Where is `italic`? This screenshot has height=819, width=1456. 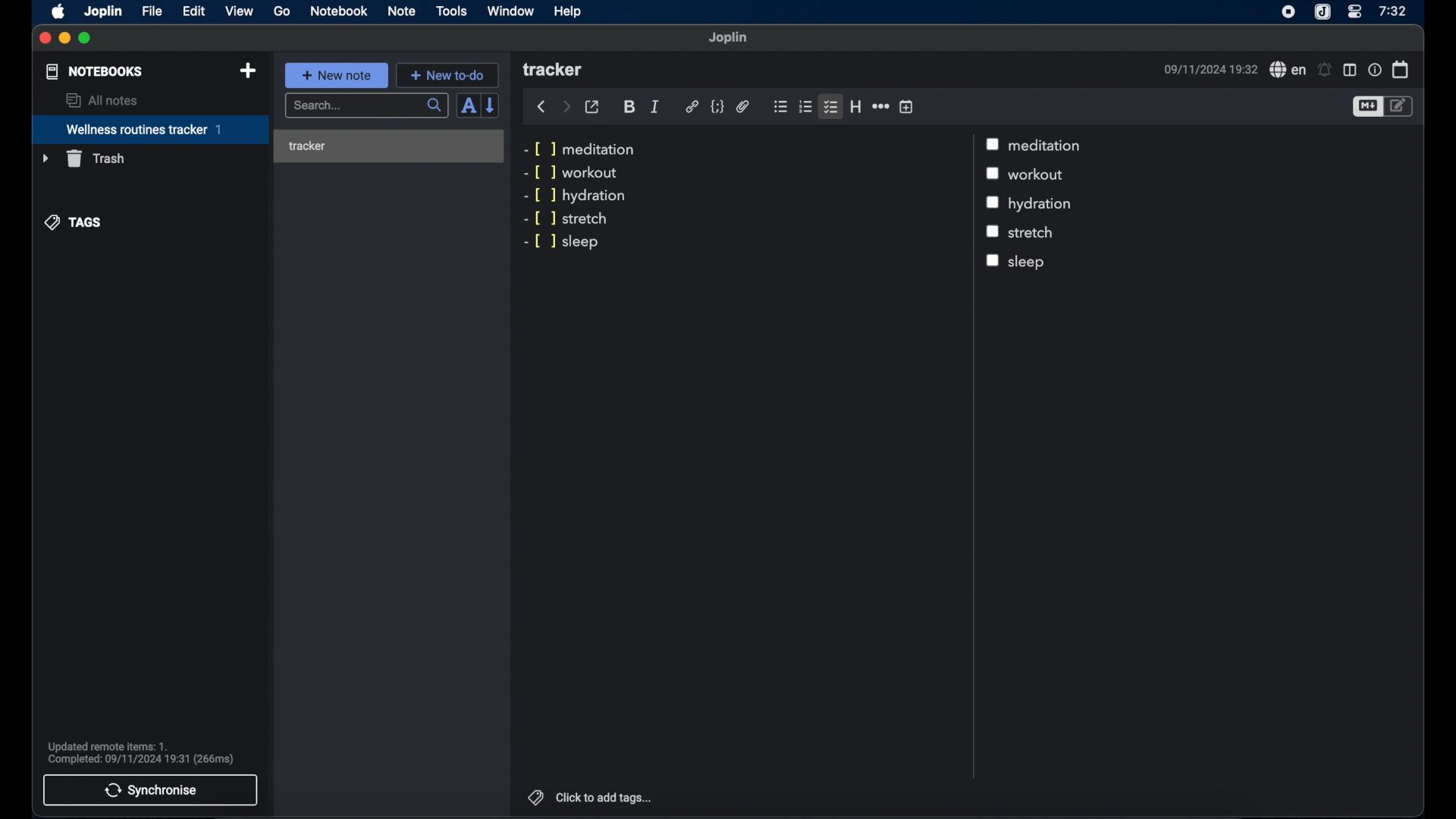
italic is located at coordinates (655, 107).